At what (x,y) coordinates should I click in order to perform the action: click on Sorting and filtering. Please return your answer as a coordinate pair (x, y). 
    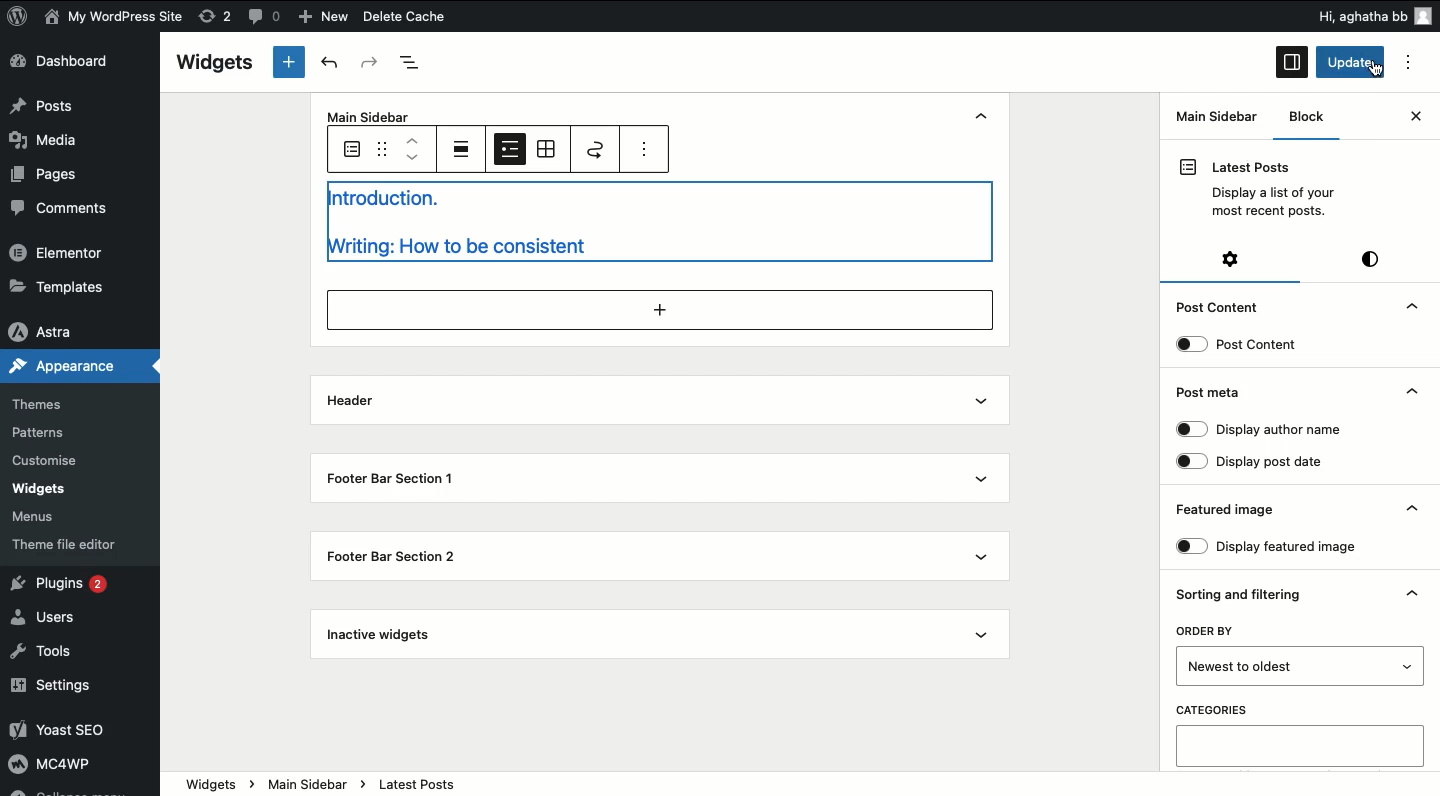
    Looking at the image, I should click on (1251, 592).